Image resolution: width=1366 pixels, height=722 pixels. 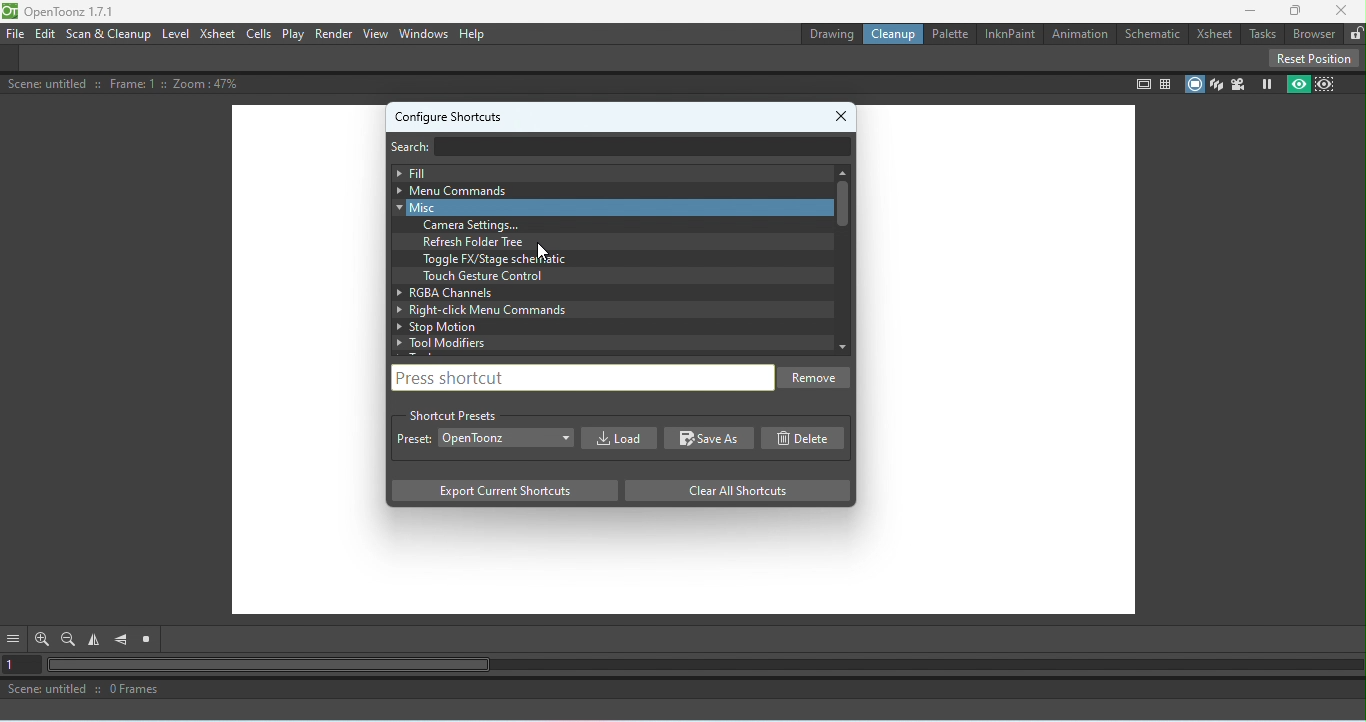 I want to click on Schematic, so click(x=1150, y=33).